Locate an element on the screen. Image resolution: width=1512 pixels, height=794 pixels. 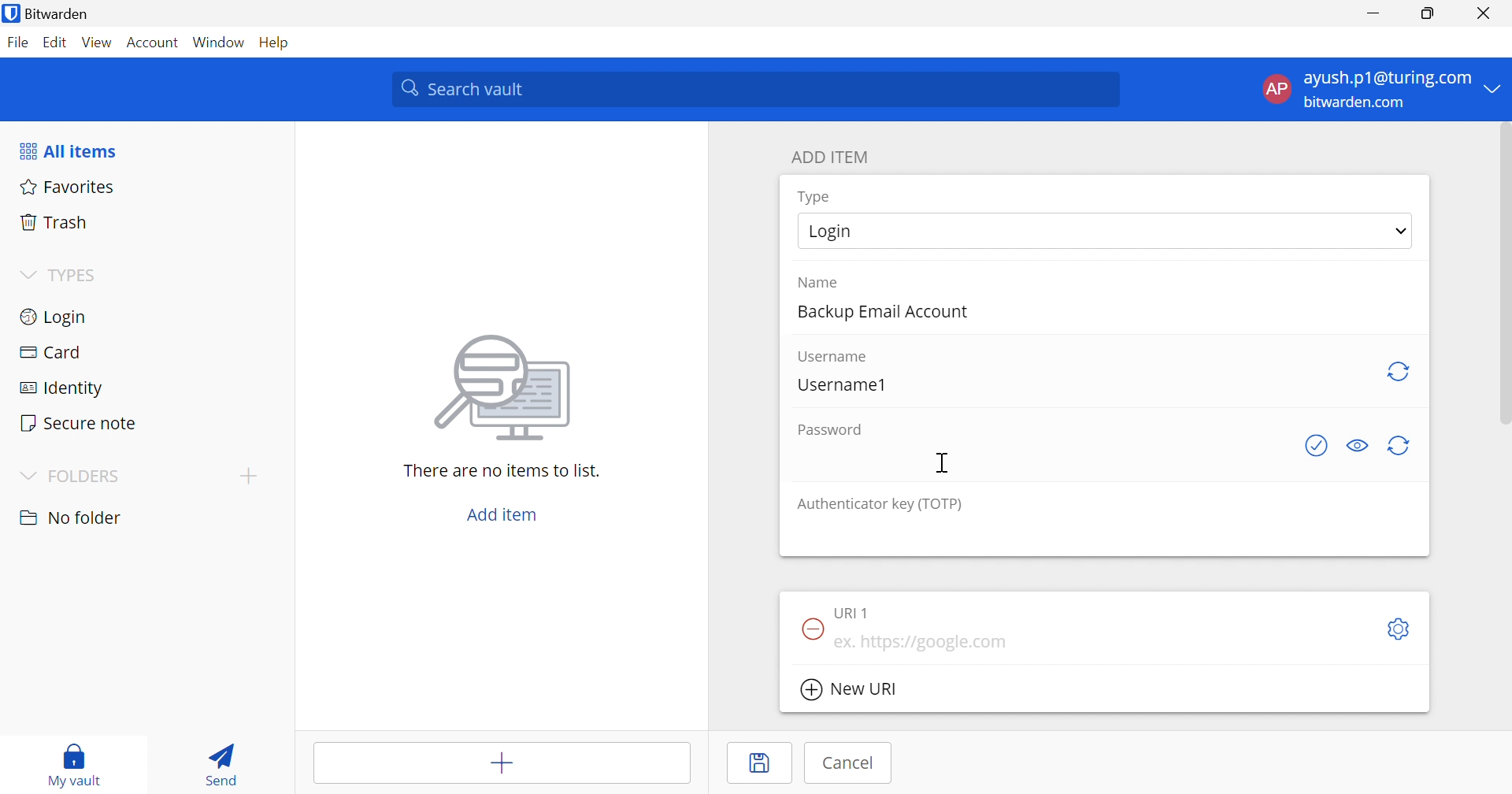
Help is located at coordinates (272, 42).